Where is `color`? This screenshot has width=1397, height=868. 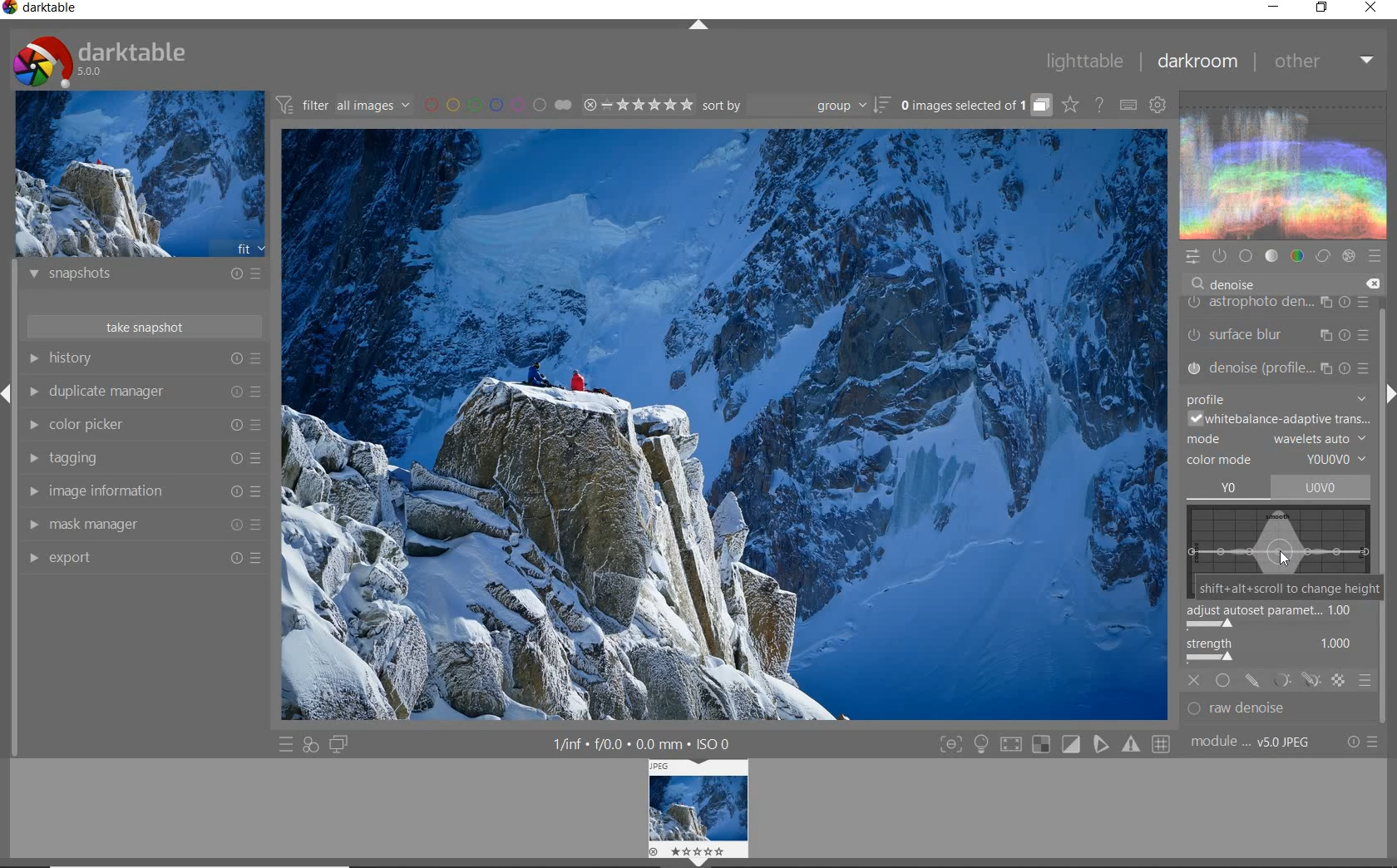 color is located at coordinates (1298, 255).